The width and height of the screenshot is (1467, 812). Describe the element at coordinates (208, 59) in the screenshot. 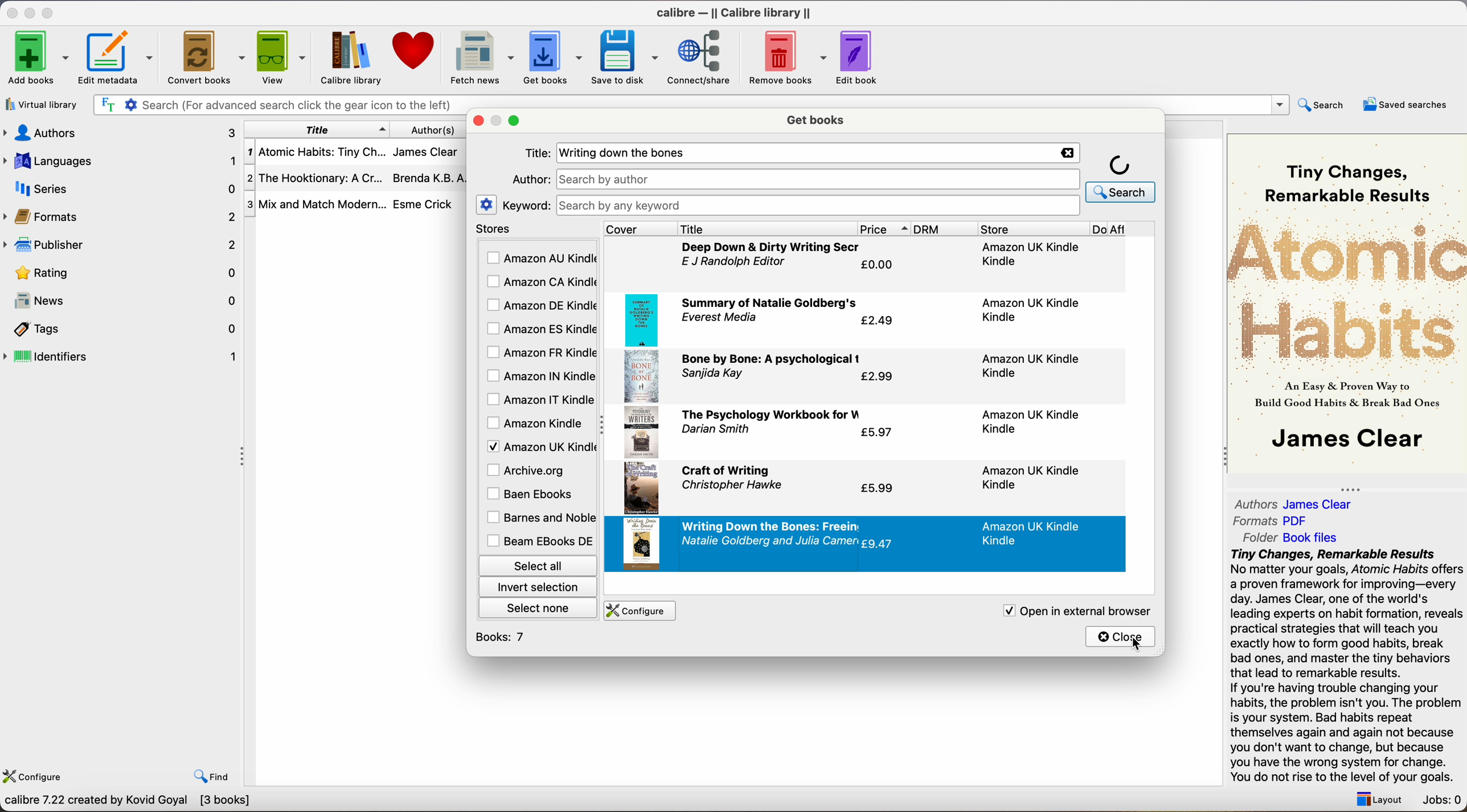

I see `convert books` at that location.